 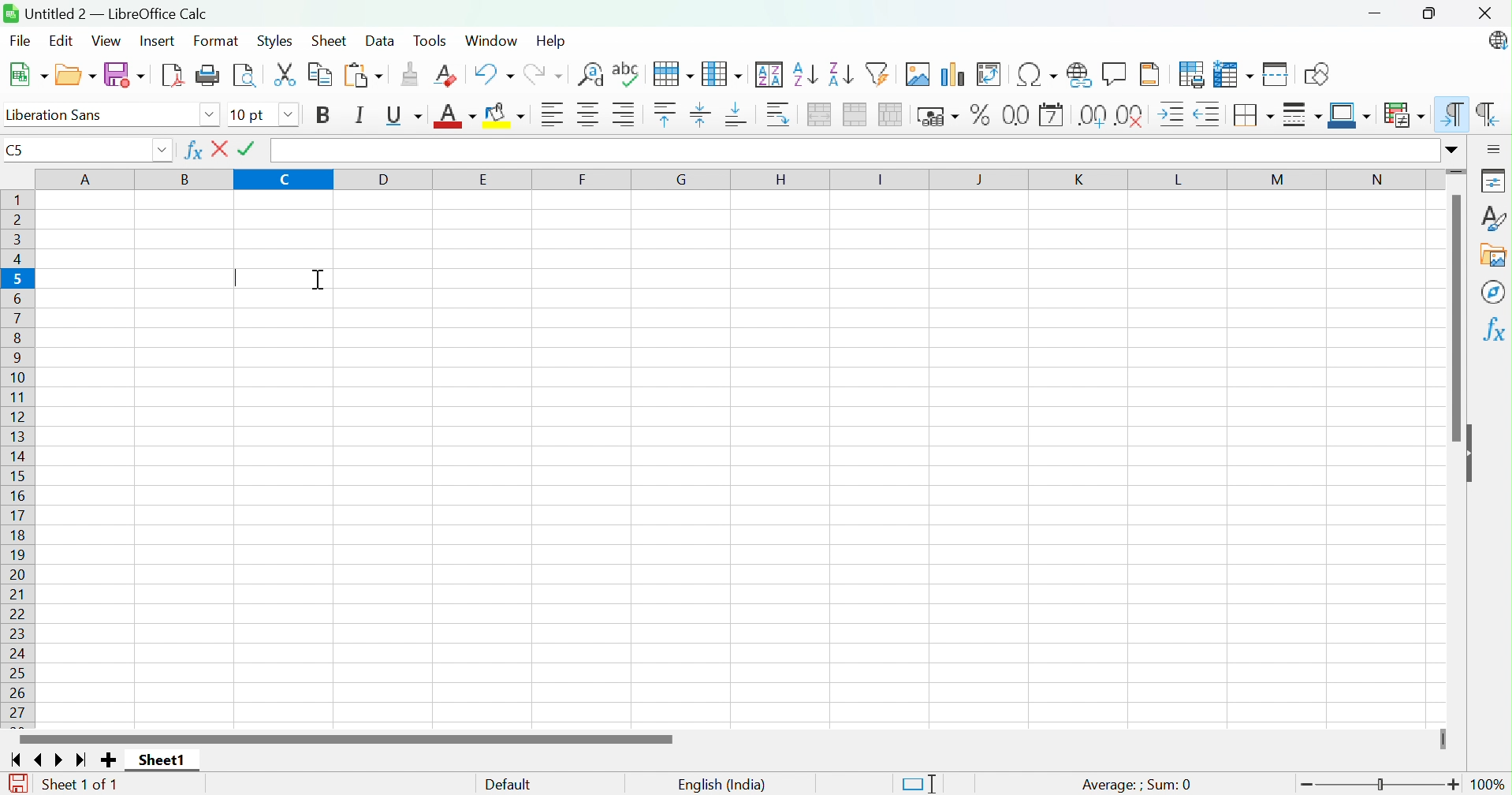 I want to click on Increase indent, so click(x=1174, y=114).